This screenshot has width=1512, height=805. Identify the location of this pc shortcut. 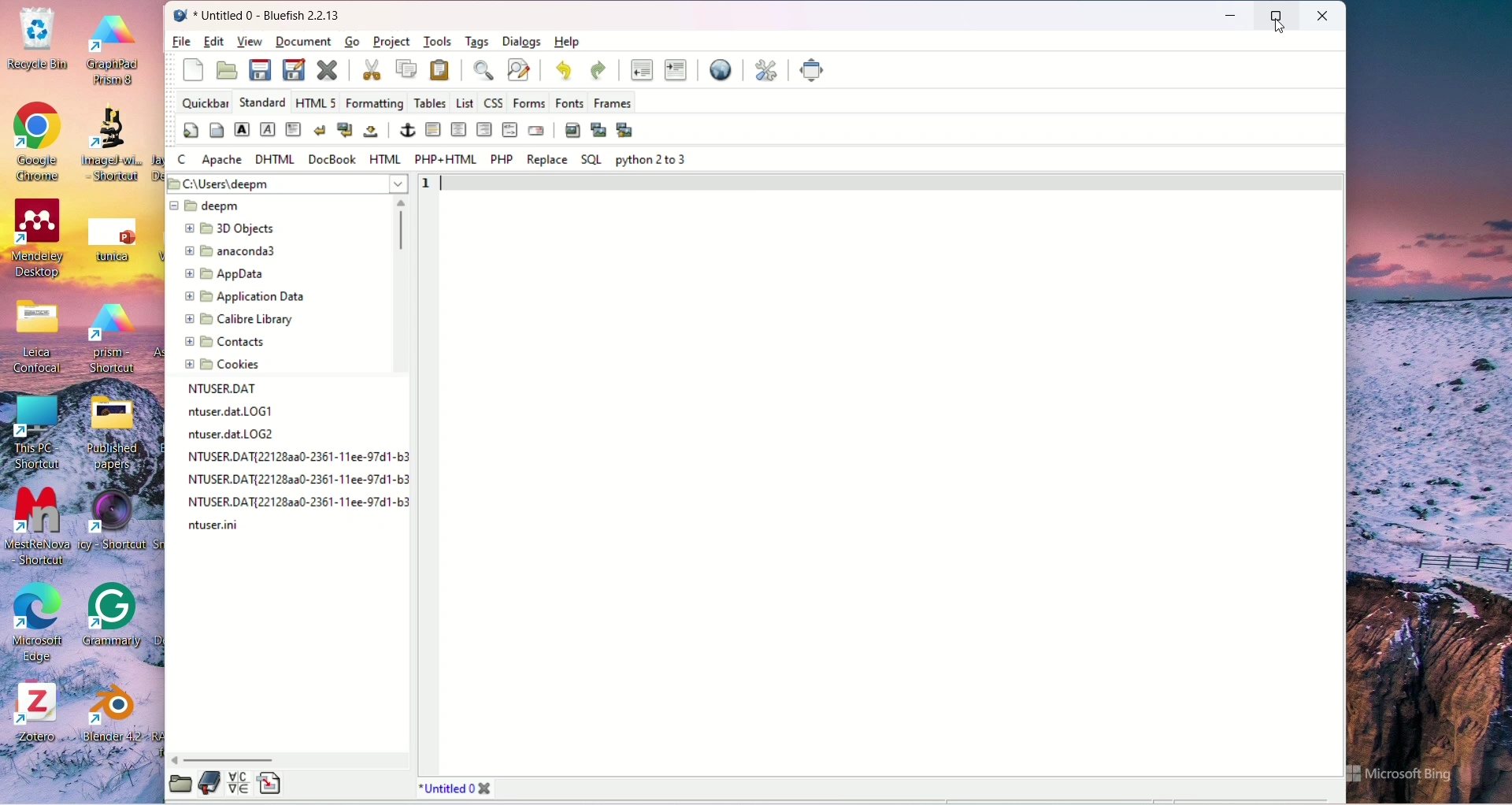
(41, 432).